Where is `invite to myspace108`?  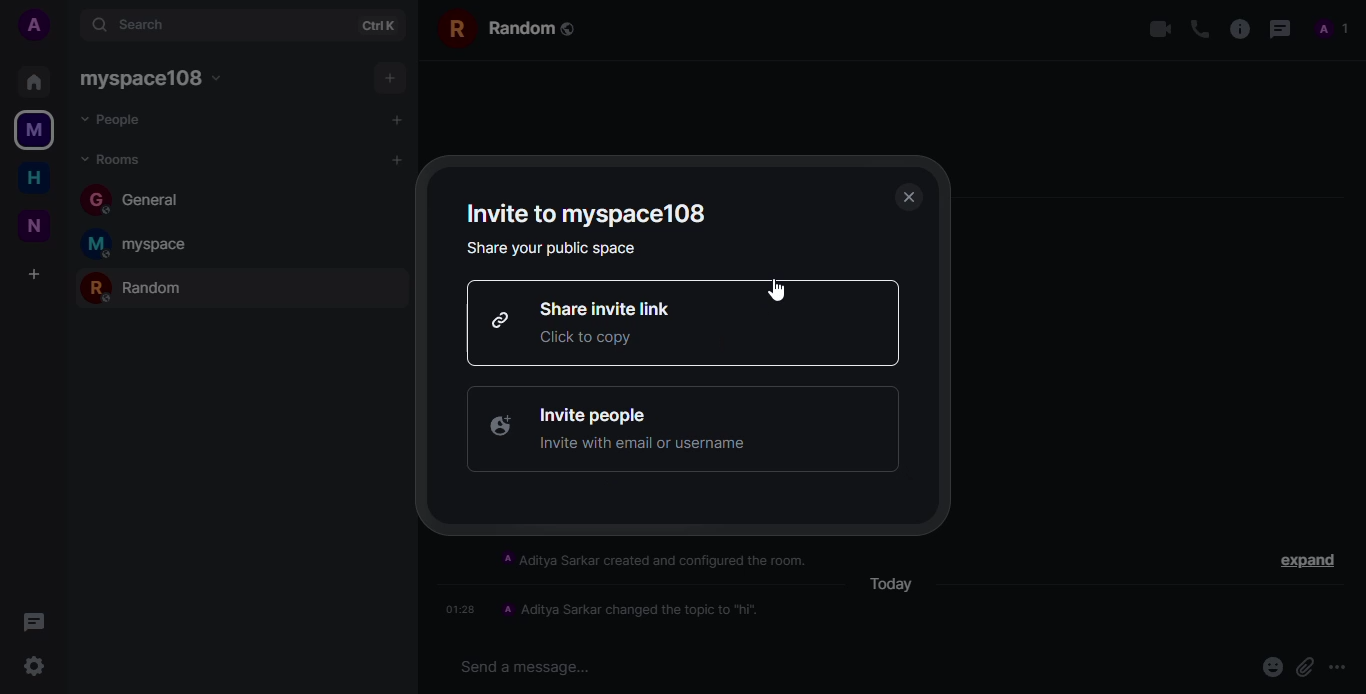
invite to myspace108 is located at coordinates (589, 210).